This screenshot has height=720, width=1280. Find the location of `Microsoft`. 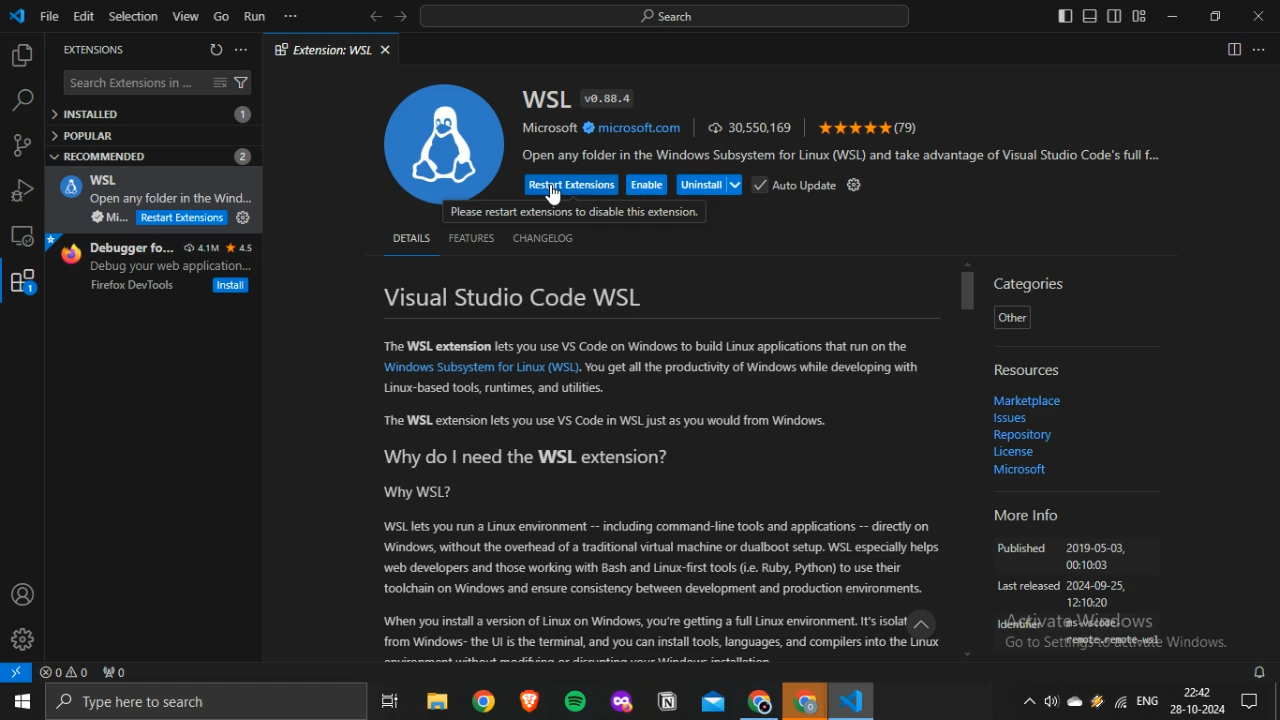

Microsoft is located at coordinates (111, 217).